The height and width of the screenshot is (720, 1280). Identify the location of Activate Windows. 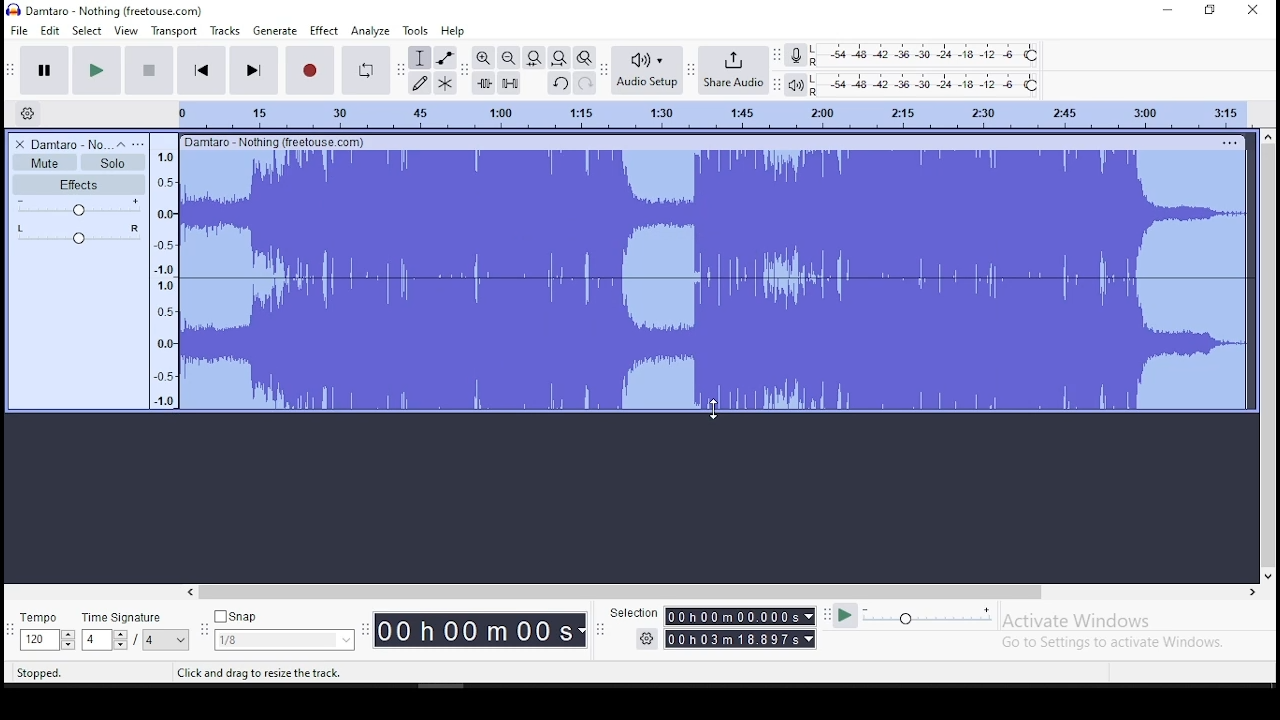
(1077, 621).